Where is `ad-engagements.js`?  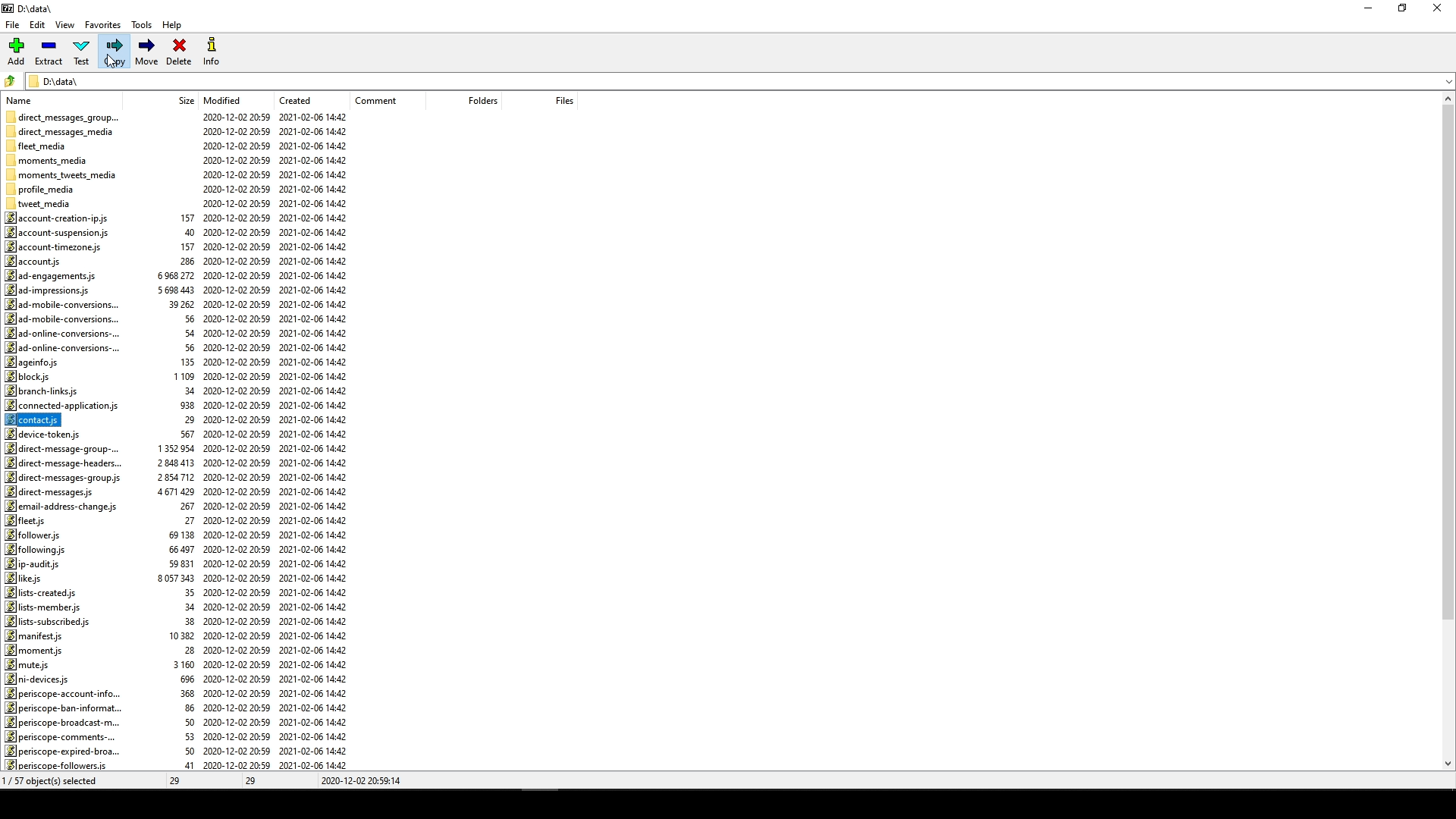
ad-engagements.js is located at coordinates (49, 275).